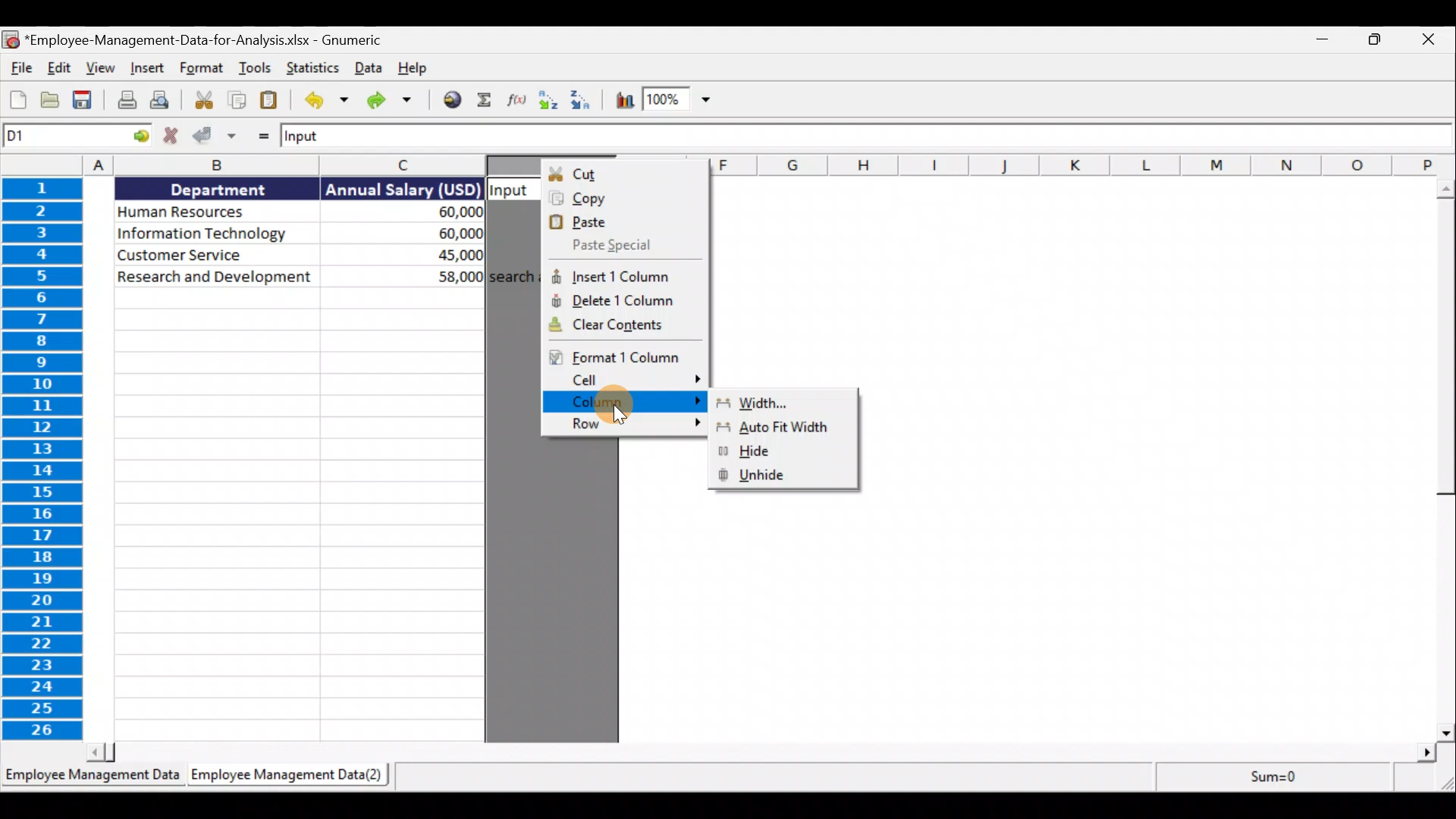 The image size is (1456, 819). Describe the element at coordinates (289, 774) in the screenshot. I see `Sheet 2` at that location.